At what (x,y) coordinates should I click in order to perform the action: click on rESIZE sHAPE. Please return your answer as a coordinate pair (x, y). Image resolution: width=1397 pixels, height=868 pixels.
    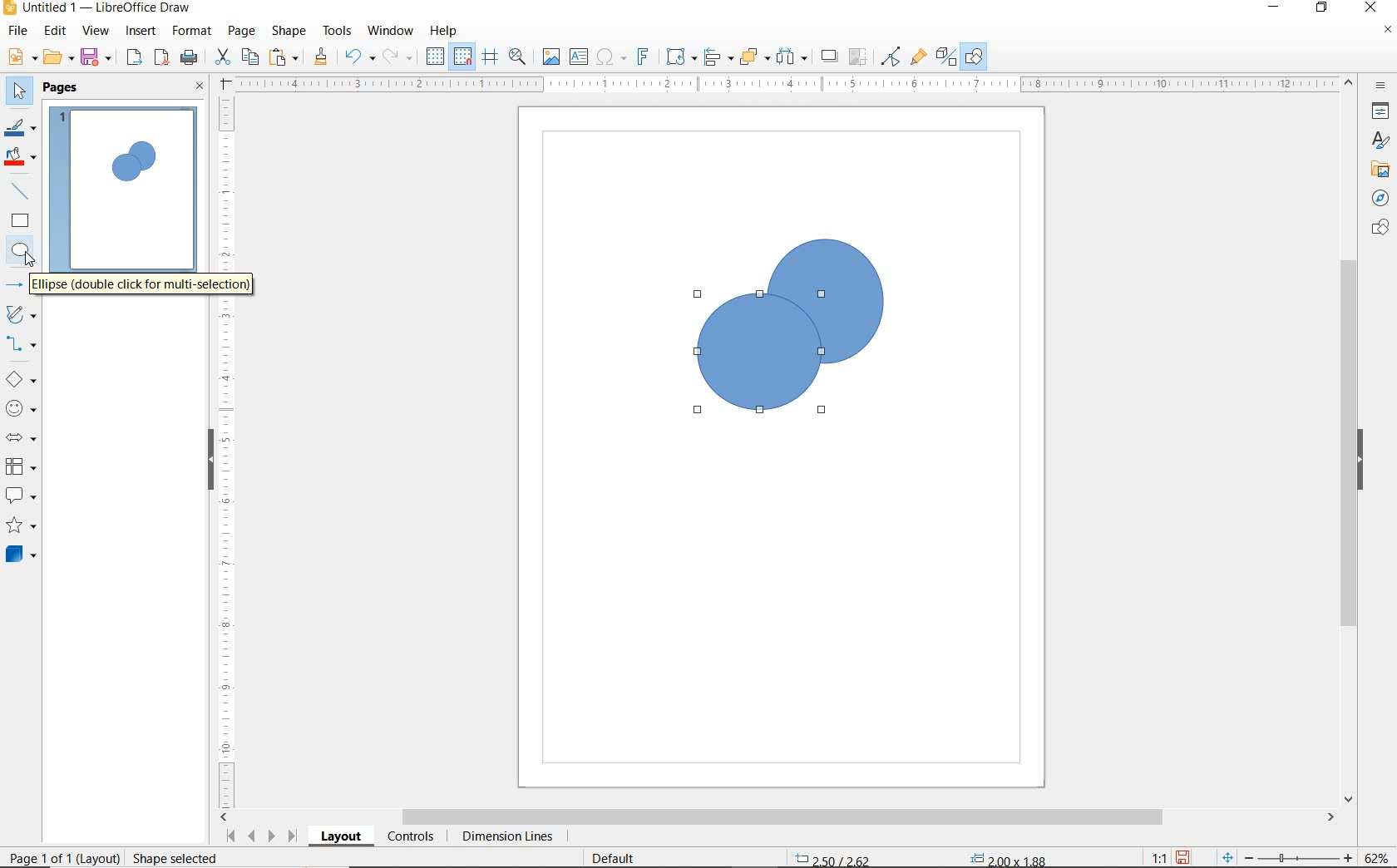
    Looking at the image, I should click on (168, 857).